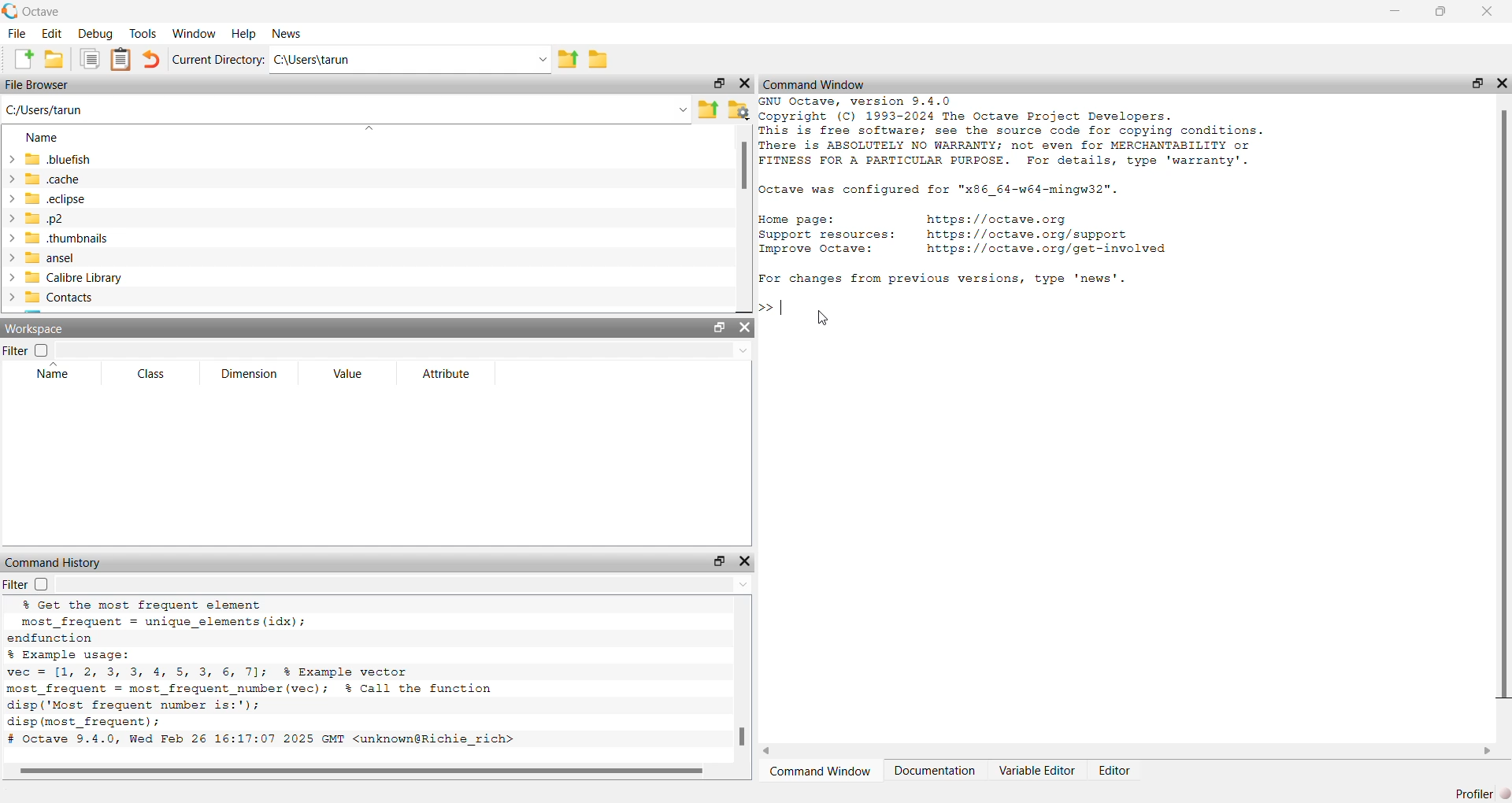  What do you see at coordinates (10, 218) in the screenshot?
I see `expand/collapse` at bounding box center [10, 218].